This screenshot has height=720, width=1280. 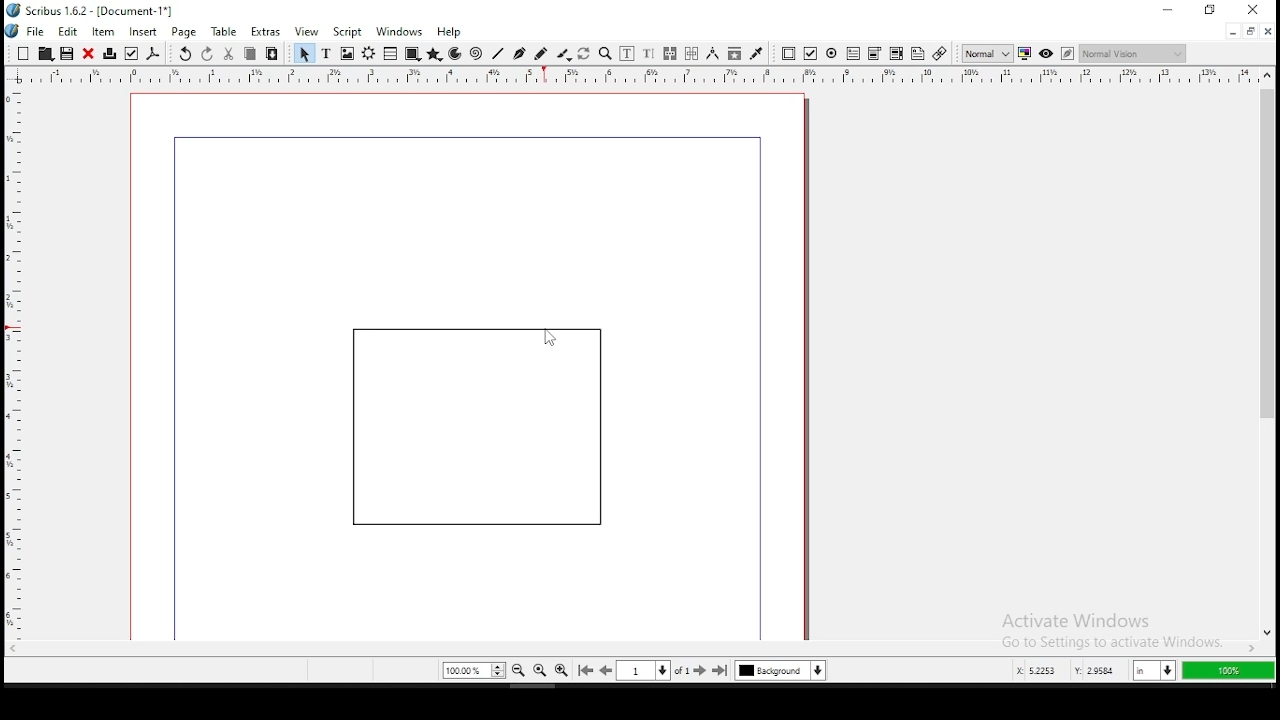 What do you see at coordinates (789, 55) in the screenshot?
I see `pdf push button` at bounding box center [789, 55].